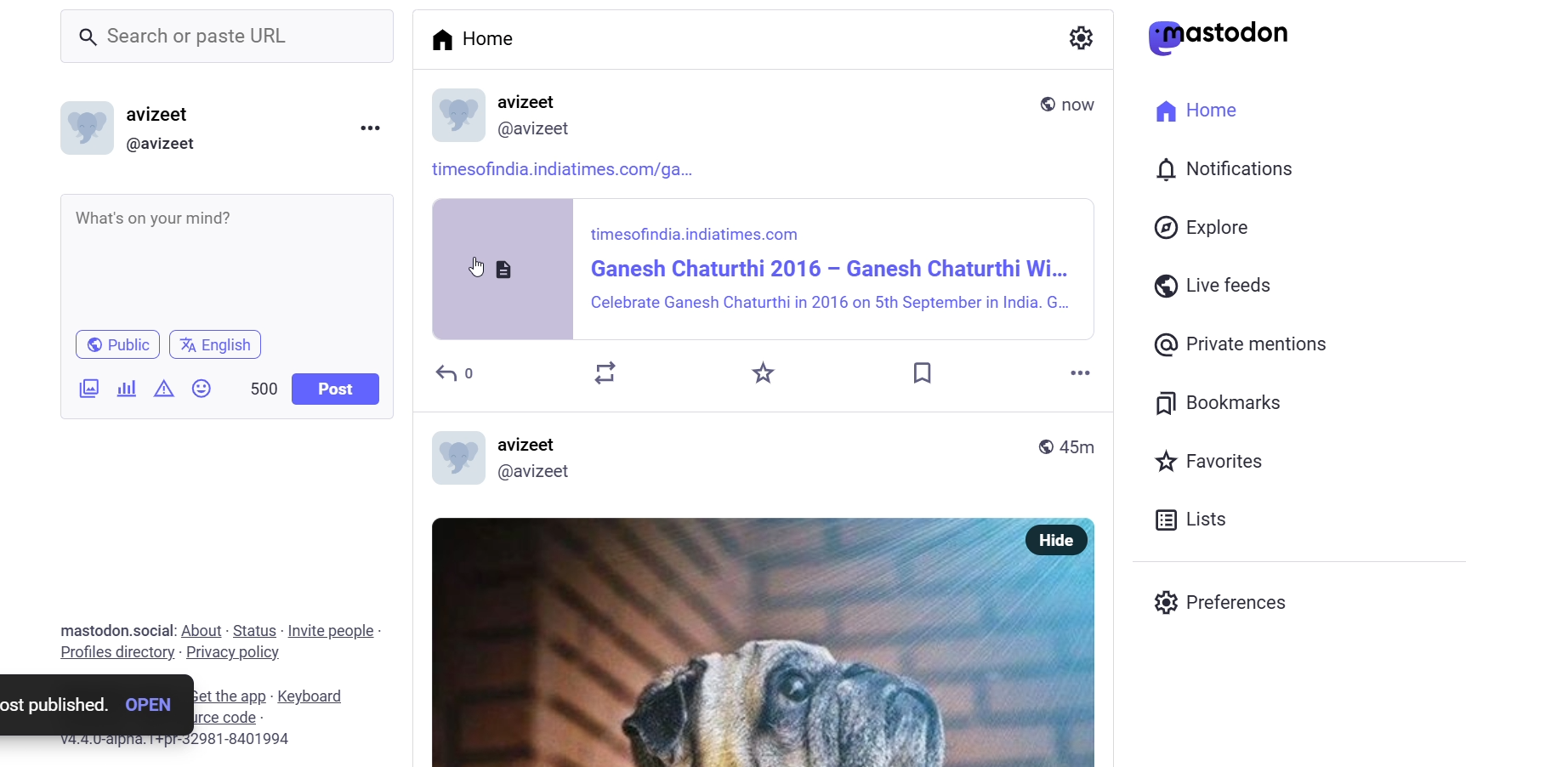 The width and height of the screenshot is (1568, 767). What do you see at coordinates (56, 705) in the screenshot?
I see `post published` at bounding box center [56, 705].